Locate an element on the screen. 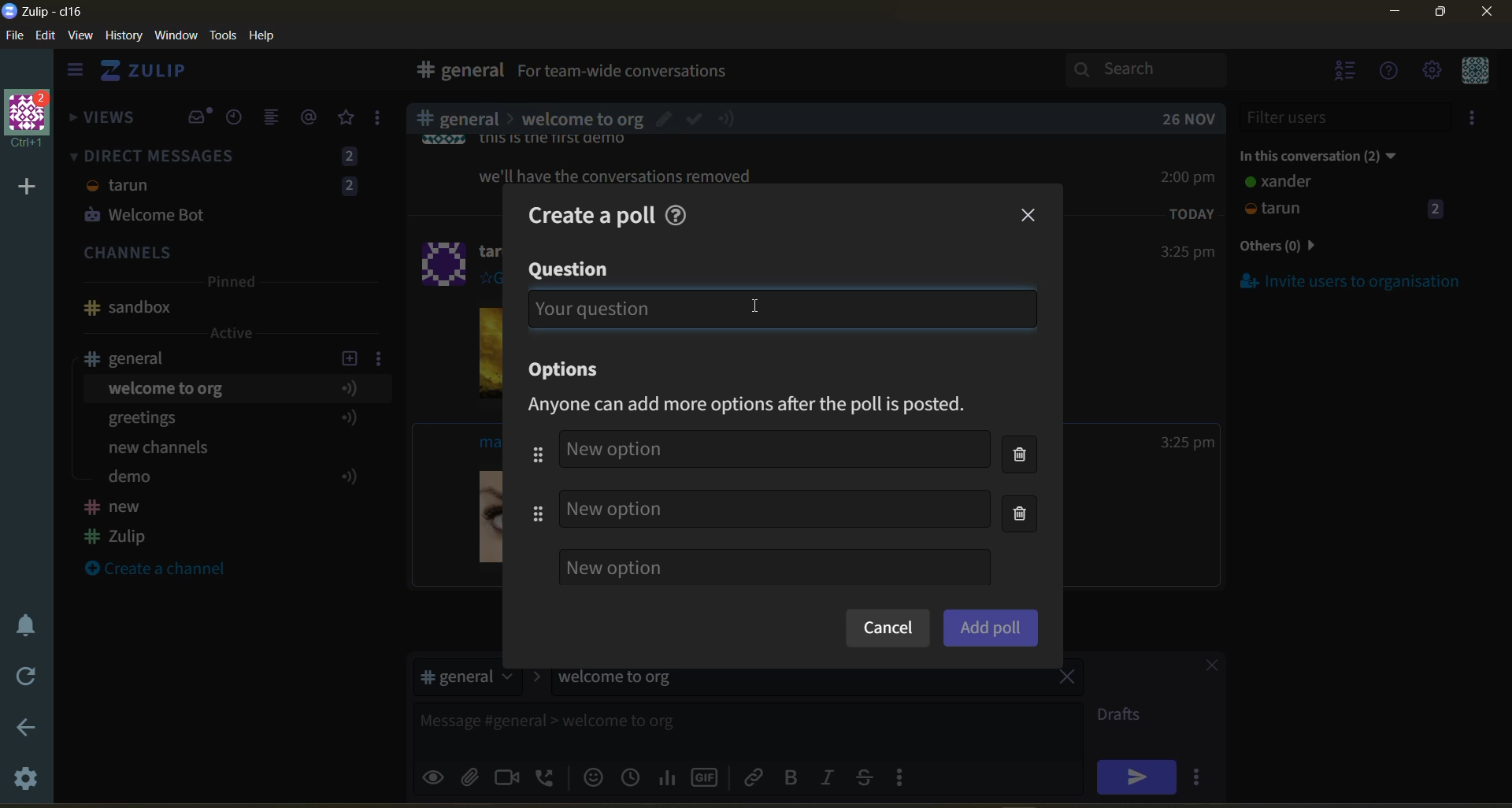  channel settings is located at coordinates (382, 358).